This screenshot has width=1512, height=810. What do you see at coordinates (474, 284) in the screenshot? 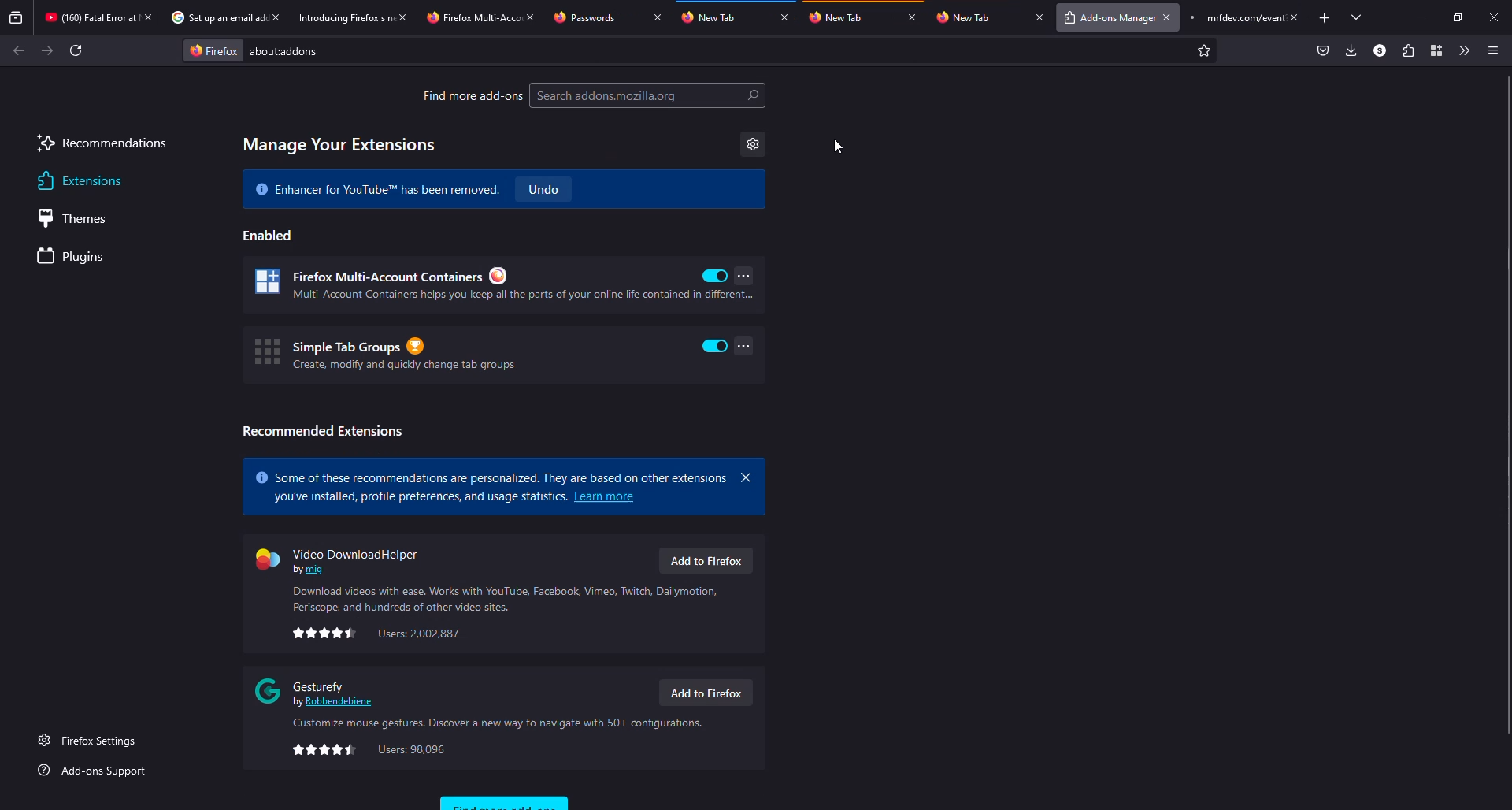
I see `multi-account` at bounding box center [474, 284].